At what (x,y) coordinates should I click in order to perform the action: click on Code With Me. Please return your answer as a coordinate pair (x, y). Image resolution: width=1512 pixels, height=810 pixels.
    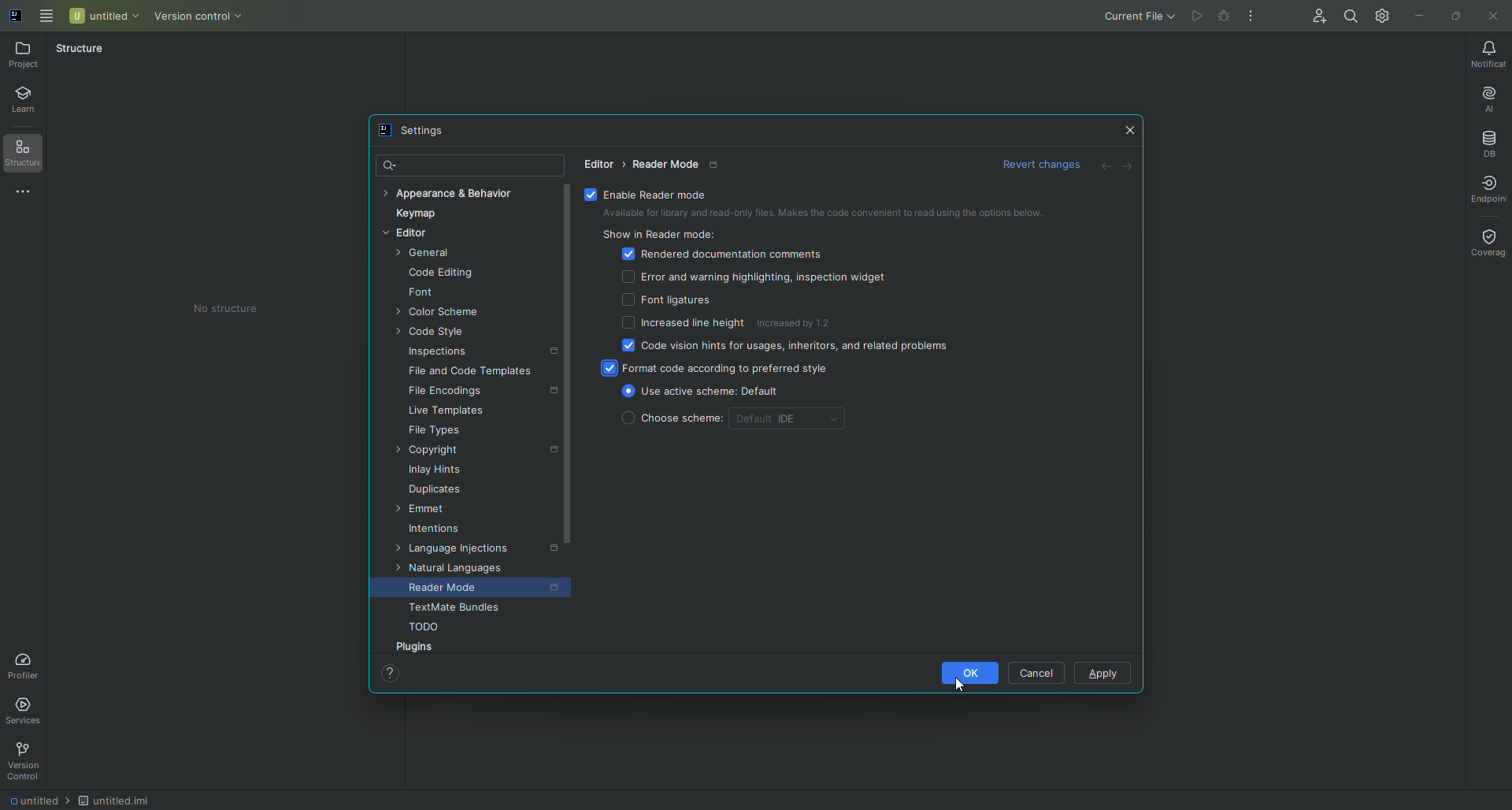
    Looking at the image, I should click on (1316, 13).